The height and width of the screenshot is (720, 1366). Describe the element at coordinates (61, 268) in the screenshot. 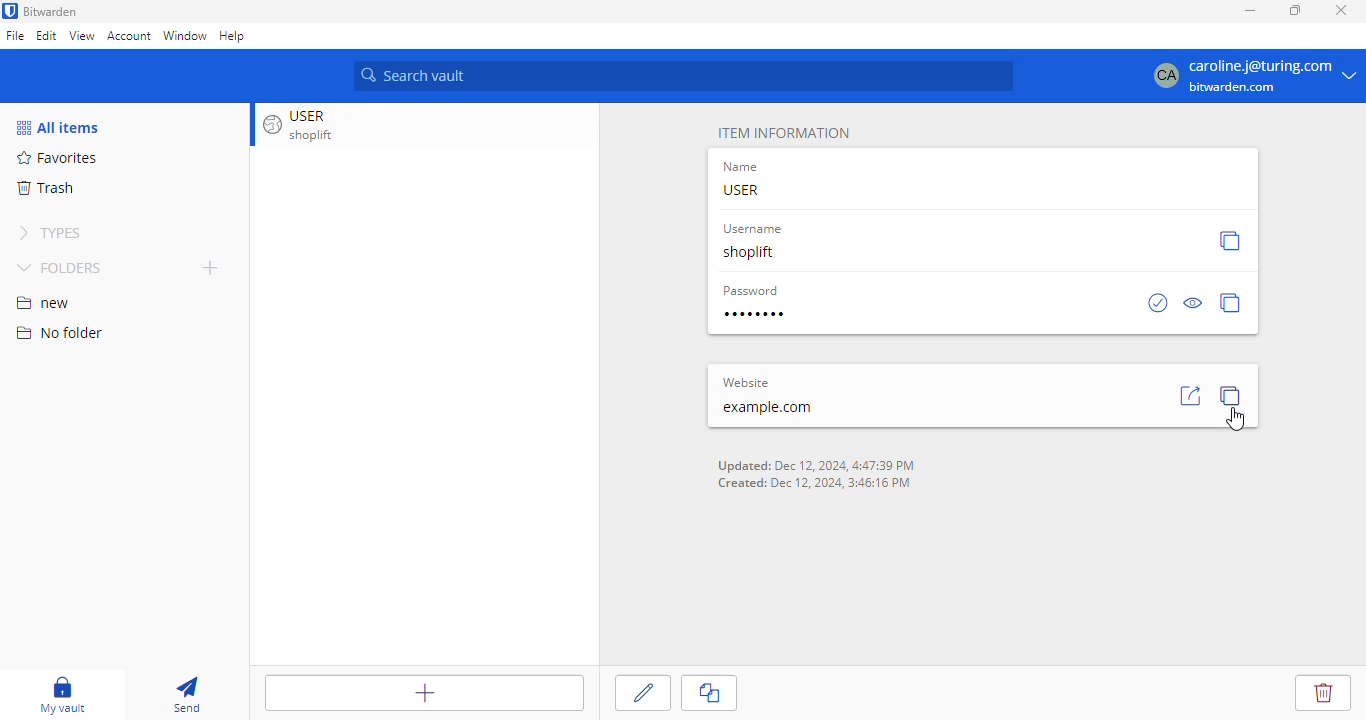

I see `folders` at that location.